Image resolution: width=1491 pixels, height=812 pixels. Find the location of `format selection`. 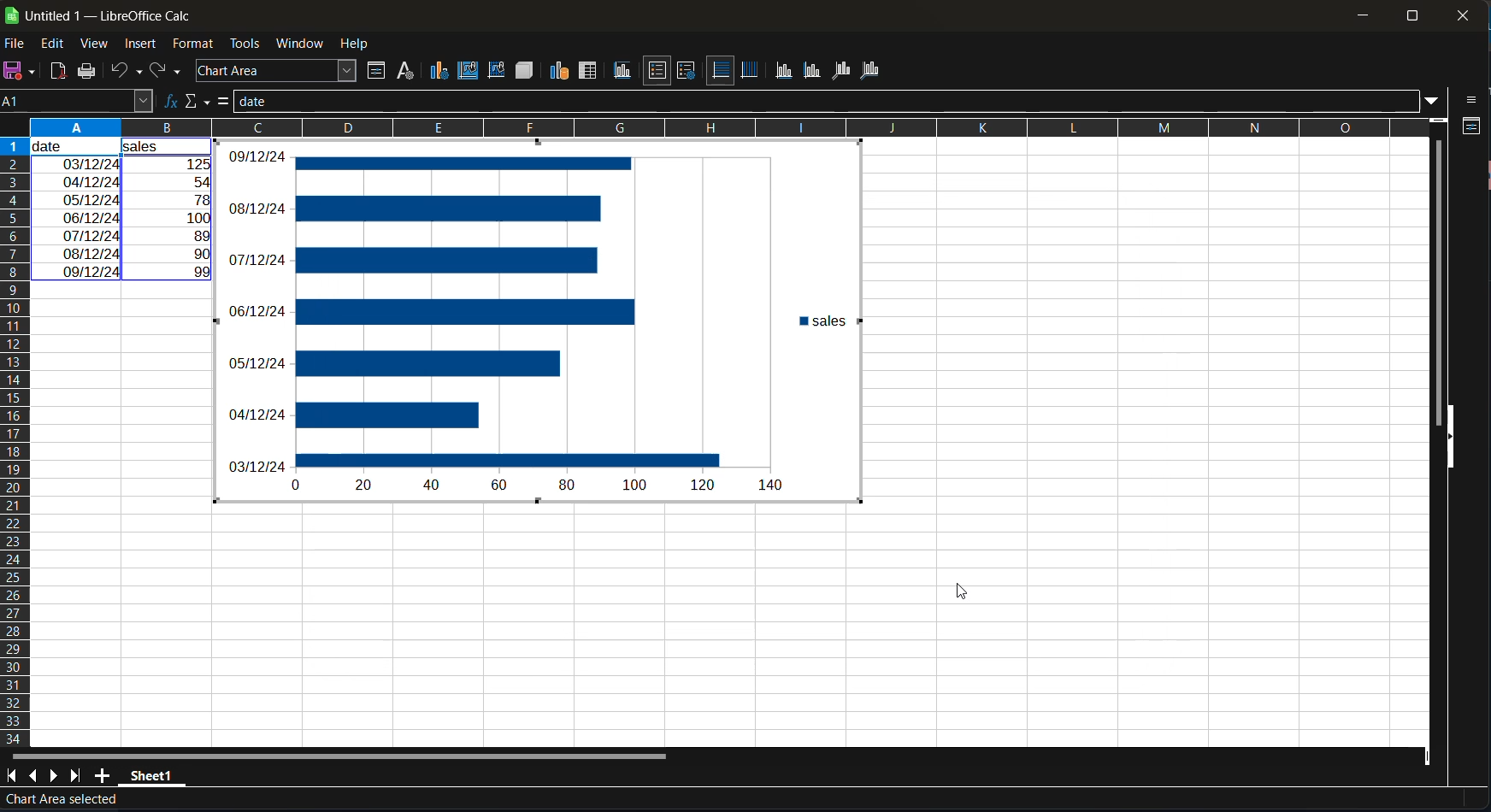

format selection is located at coordinates (374, 72).